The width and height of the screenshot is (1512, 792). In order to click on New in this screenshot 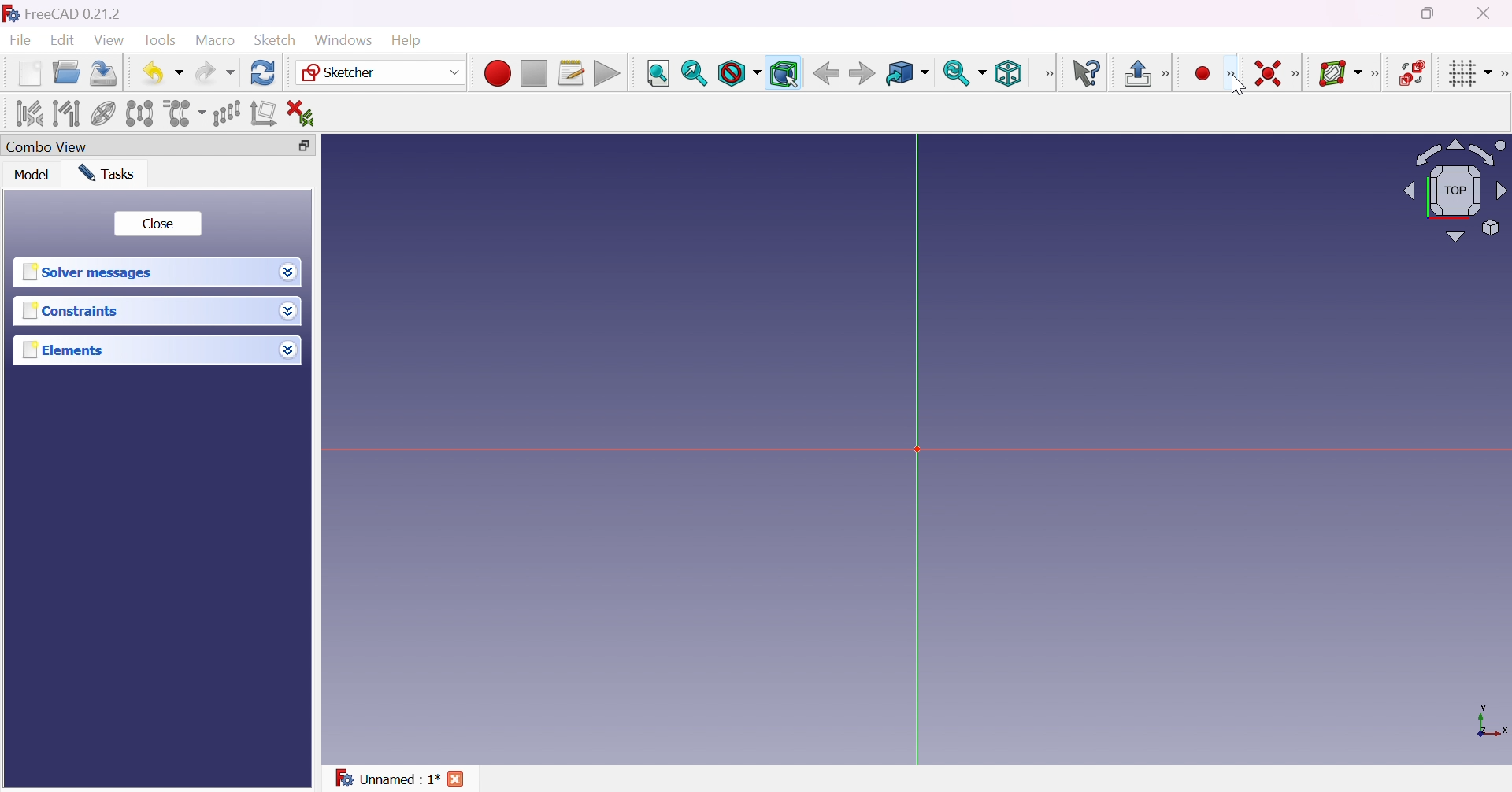, I will do `click(31, 76)`.